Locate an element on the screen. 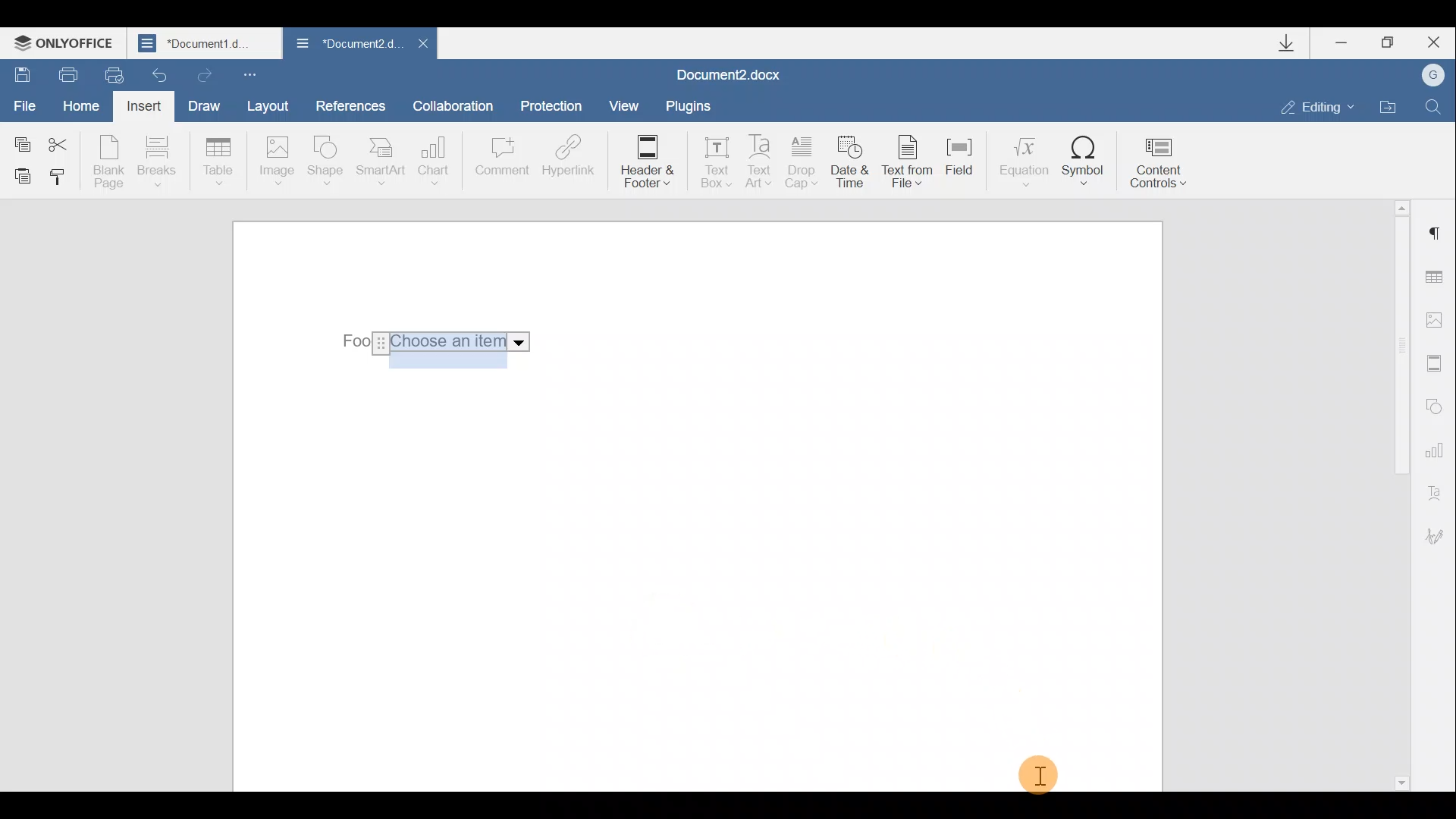  Maximize is located at coordinates (1389, 43).